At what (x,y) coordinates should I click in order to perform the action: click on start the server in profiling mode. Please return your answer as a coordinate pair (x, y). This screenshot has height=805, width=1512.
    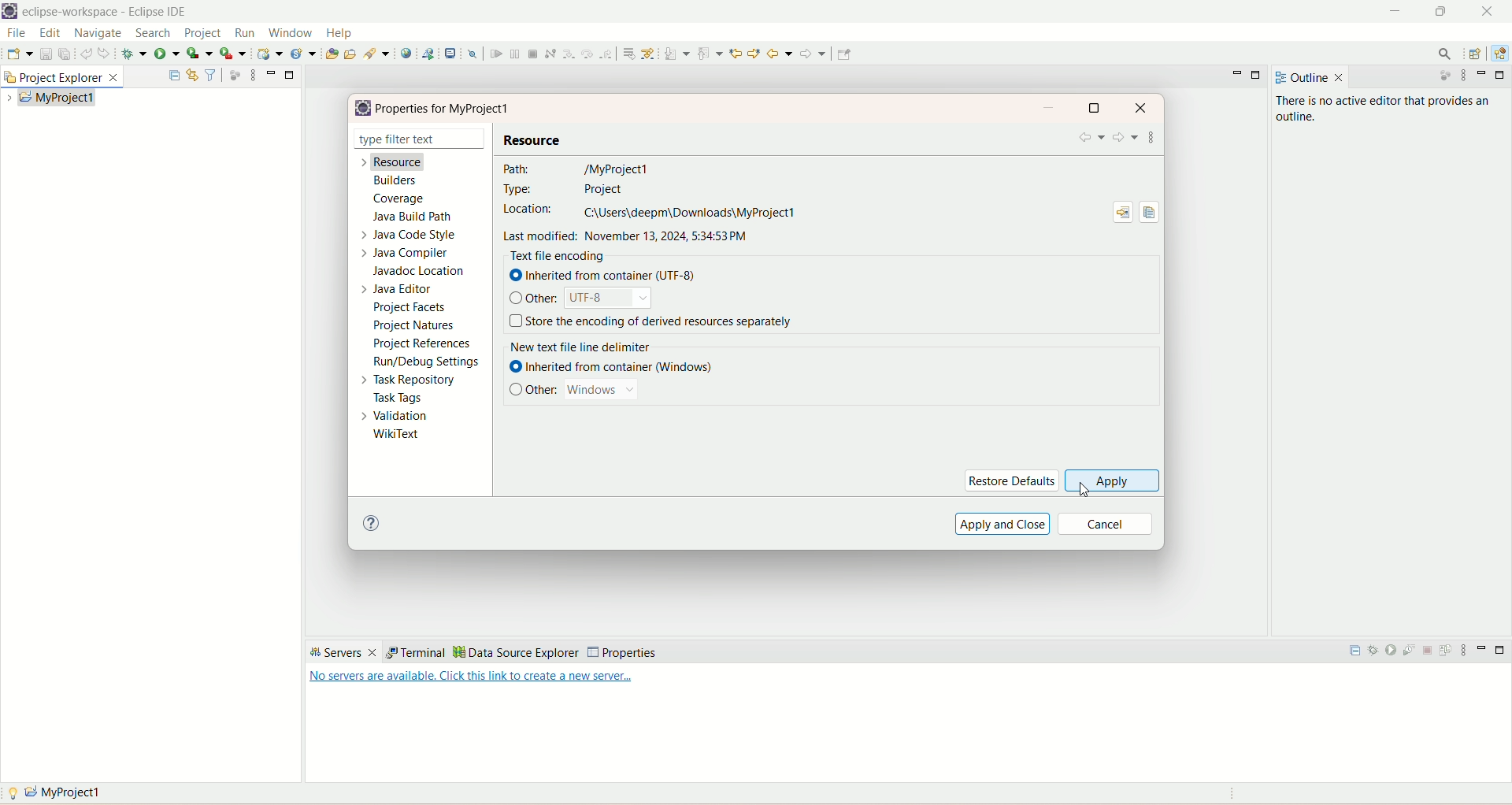
    Looking at the image, I should click on (1412, 653).